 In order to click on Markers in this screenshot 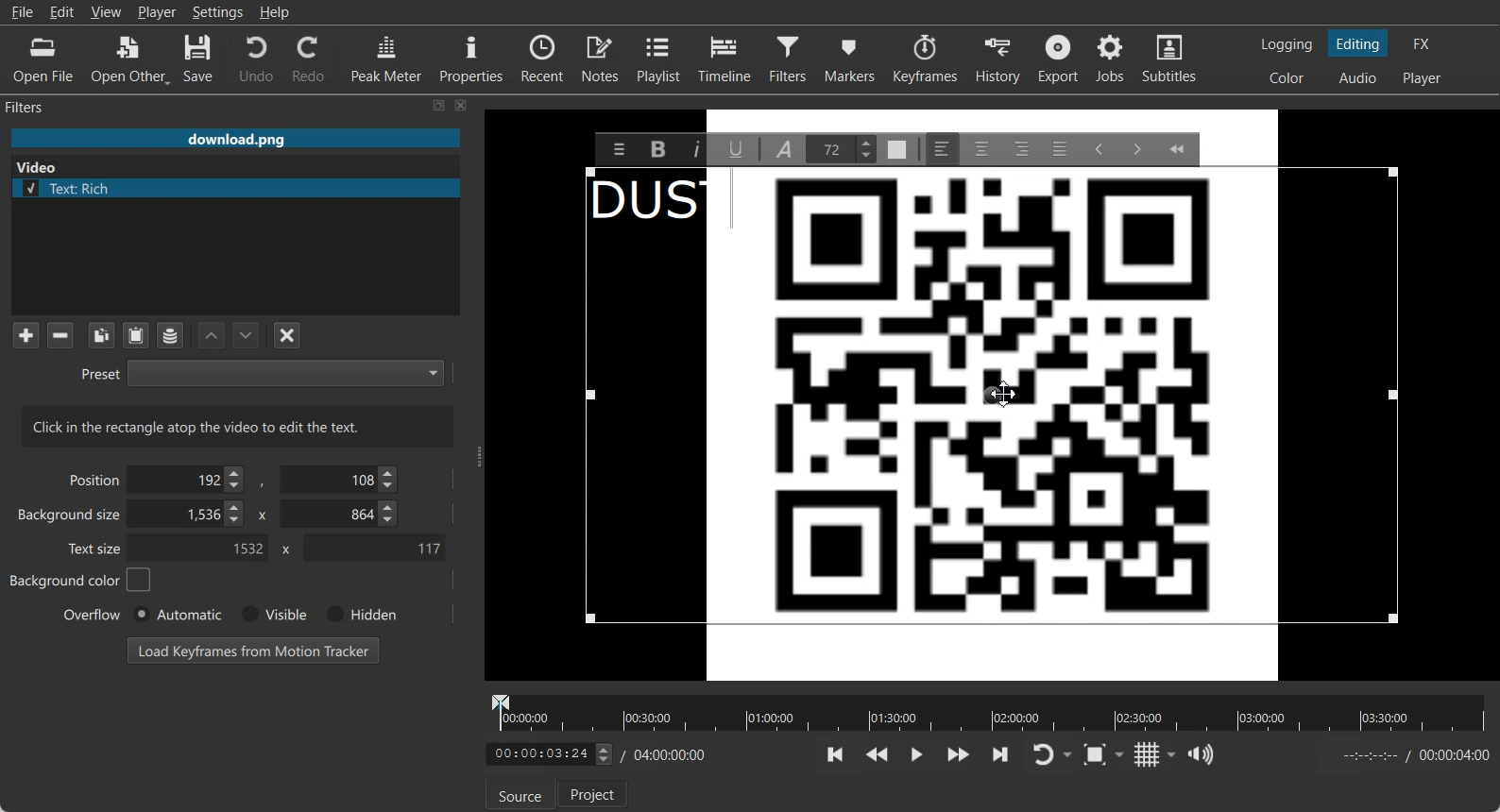, I will do `click(851, 58)`.